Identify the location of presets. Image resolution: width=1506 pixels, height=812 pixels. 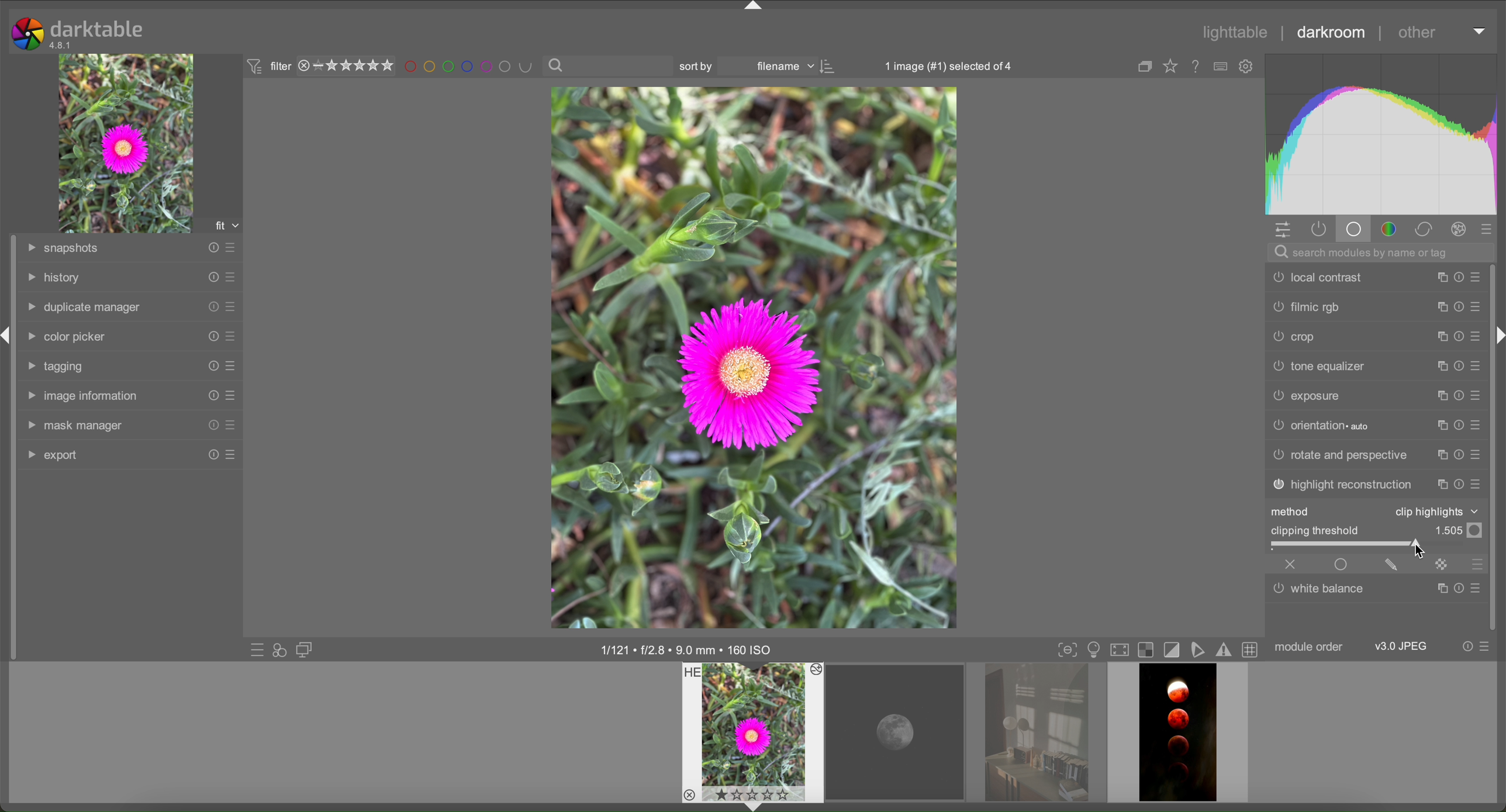
(1477, 278).